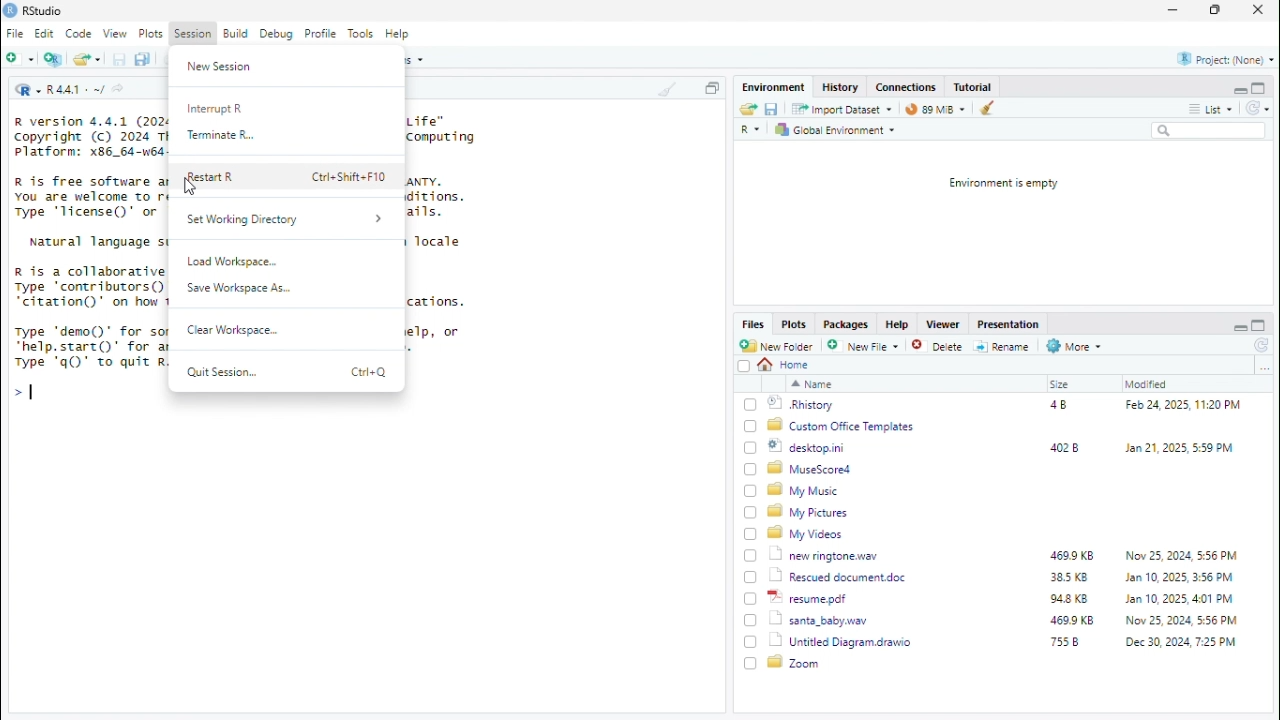  I want to click on Debug, so click(277, 34).